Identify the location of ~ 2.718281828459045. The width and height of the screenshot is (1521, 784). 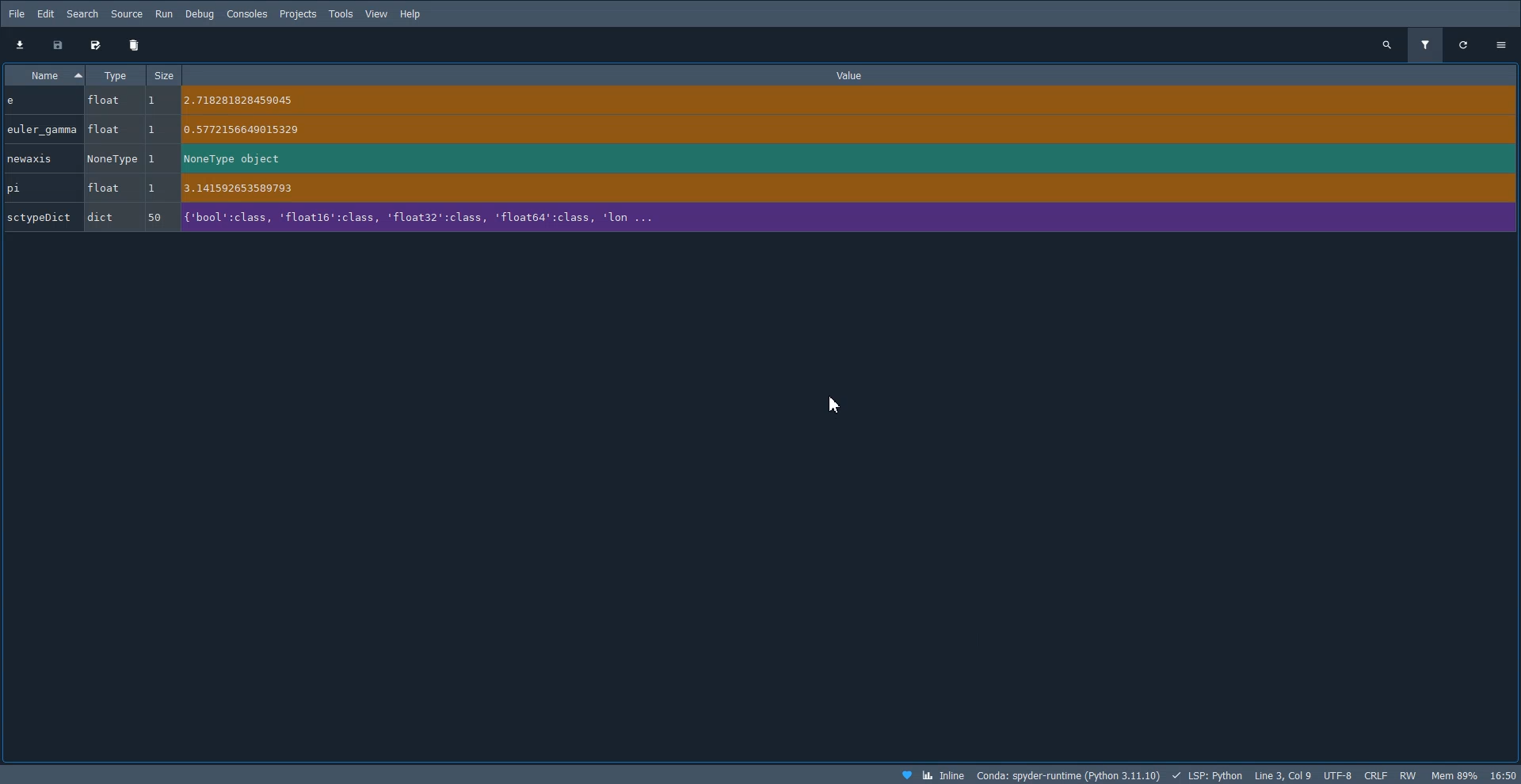
(245, 99).